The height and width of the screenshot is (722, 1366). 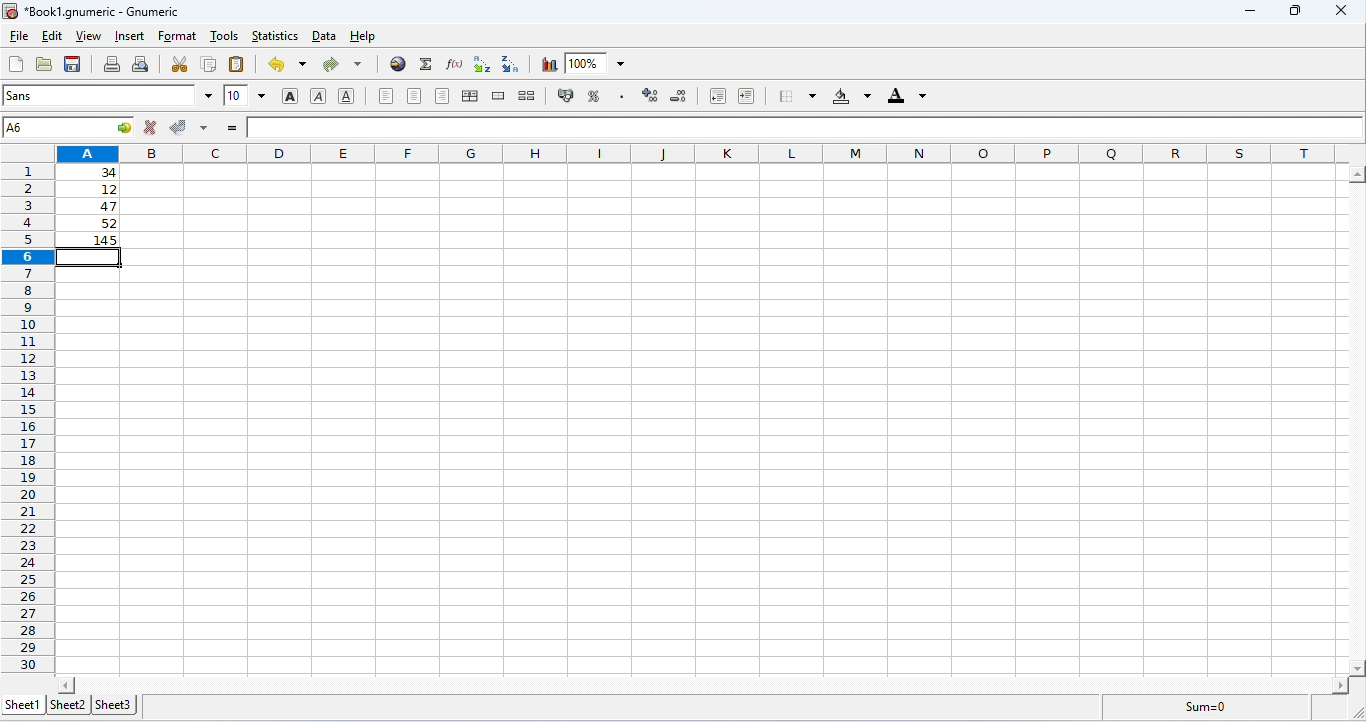 What do you see at coordinates (1298, 11) in the screenshot?
I see `maximize` at bounding box center [1298, 11].